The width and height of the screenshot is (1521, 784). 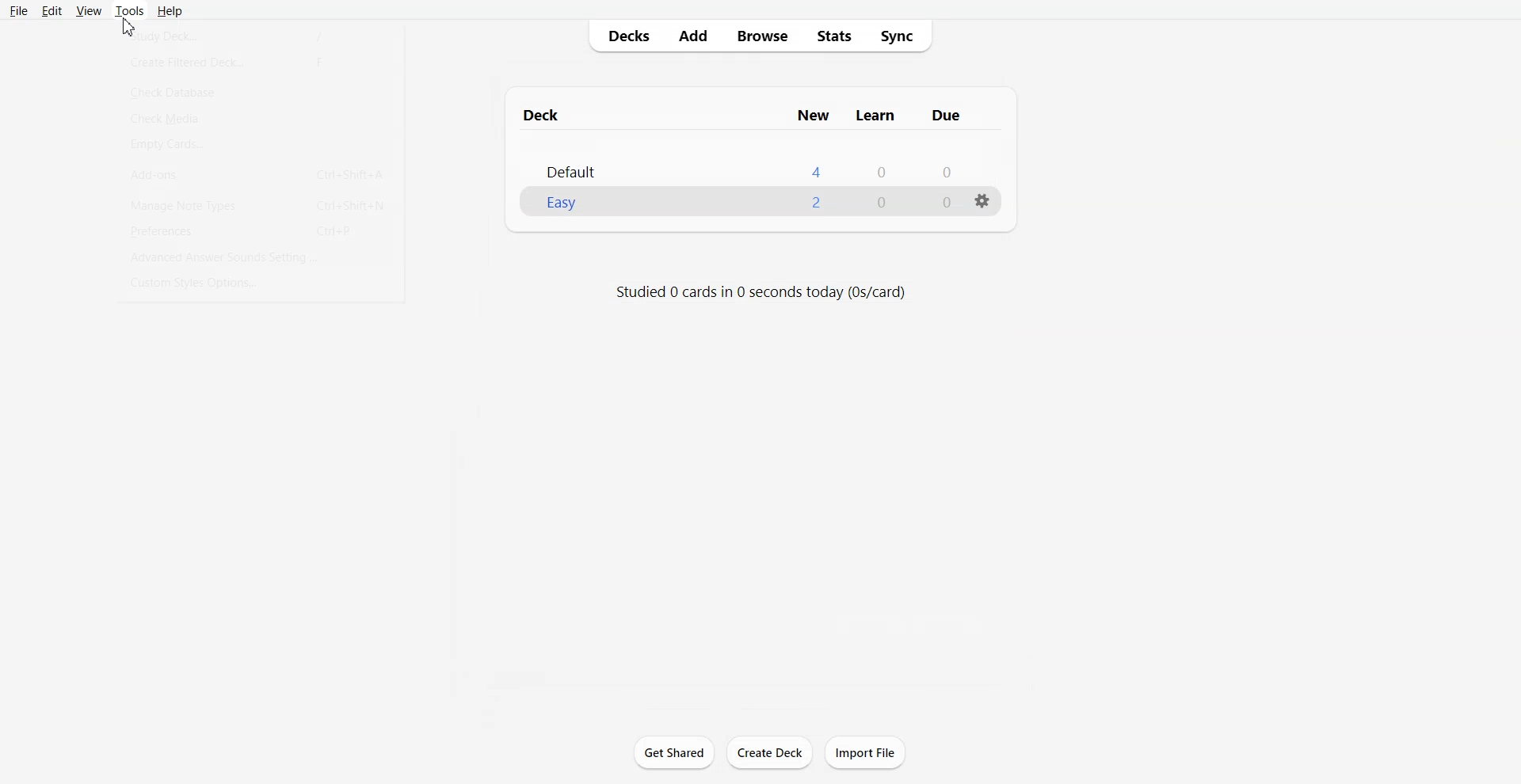 I want to click on Cursor, so click(x=128, y=24).